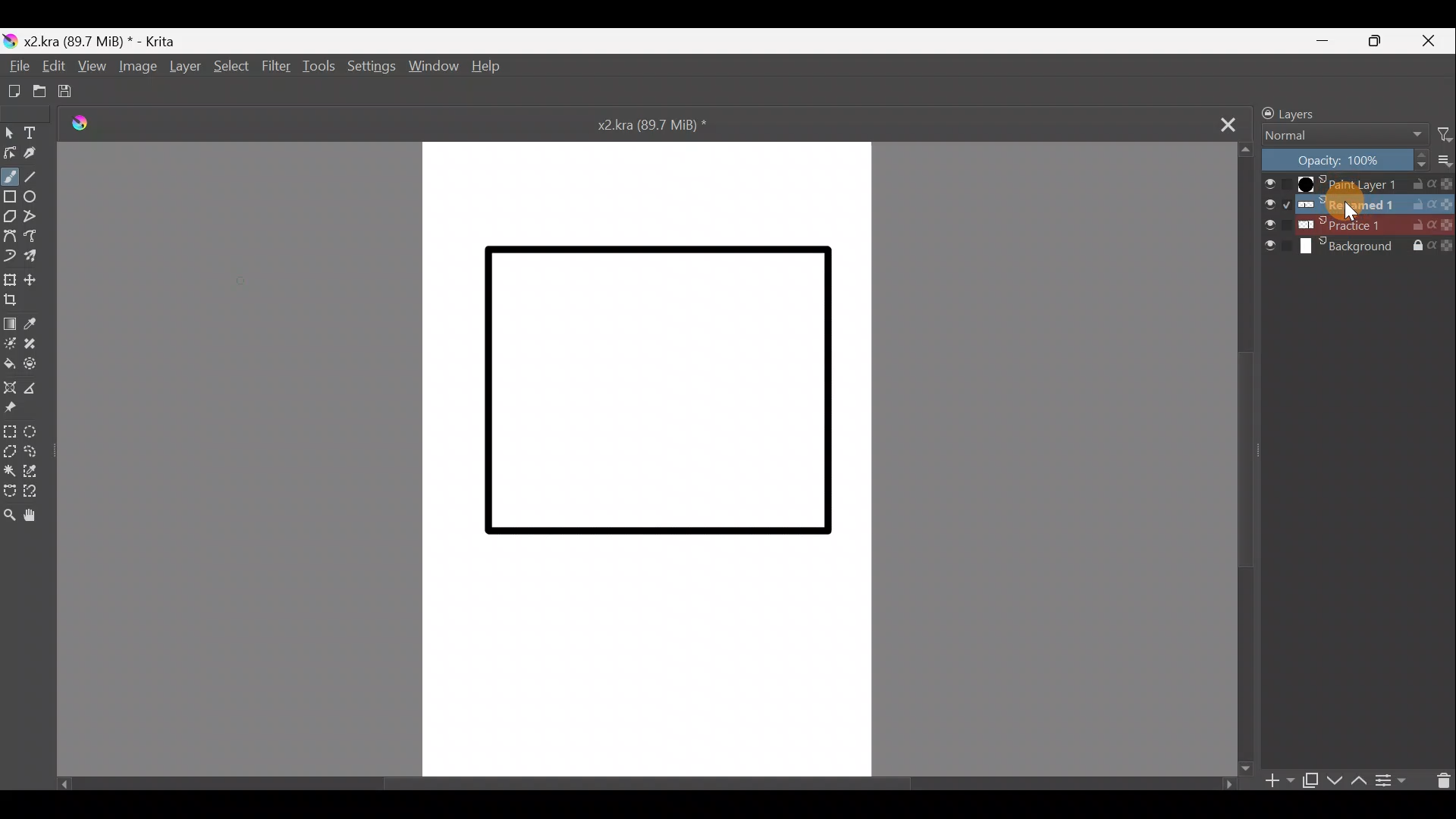 This screenshot has height=819, width=1456. What do you see at coordinates (1222, 122) in the screenshot?
I see `Close tab` at bounding box center [1222, 122].